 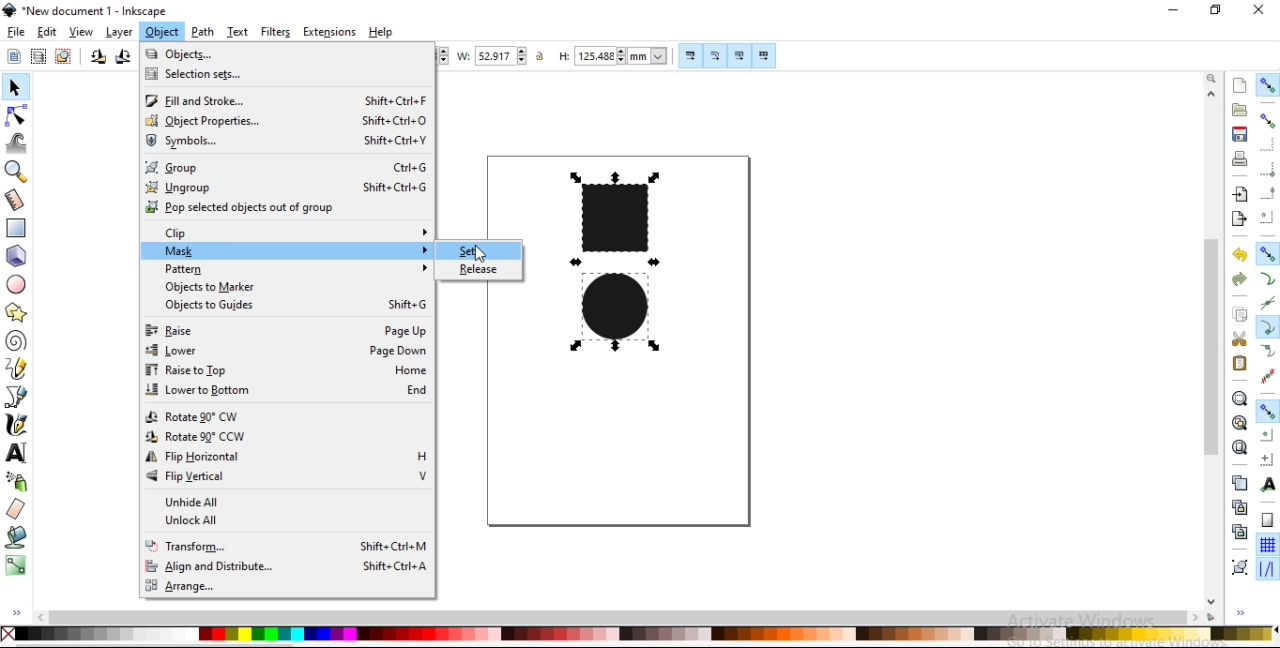 What do you see at coordinates (92, 11) in the screenshot?
I see `new document 1 -Inksacpe` at bounding box center [92, 11].